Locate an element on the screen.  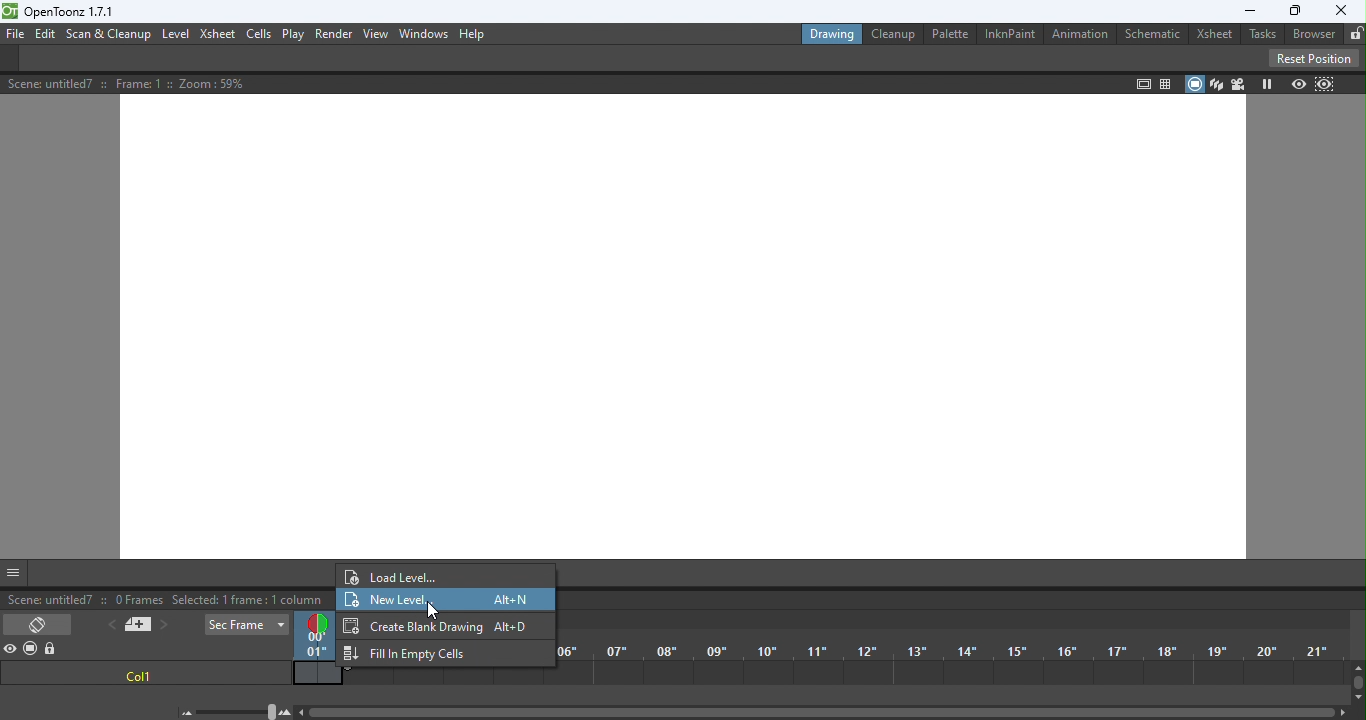
logo is located at coordinates (11, 12).